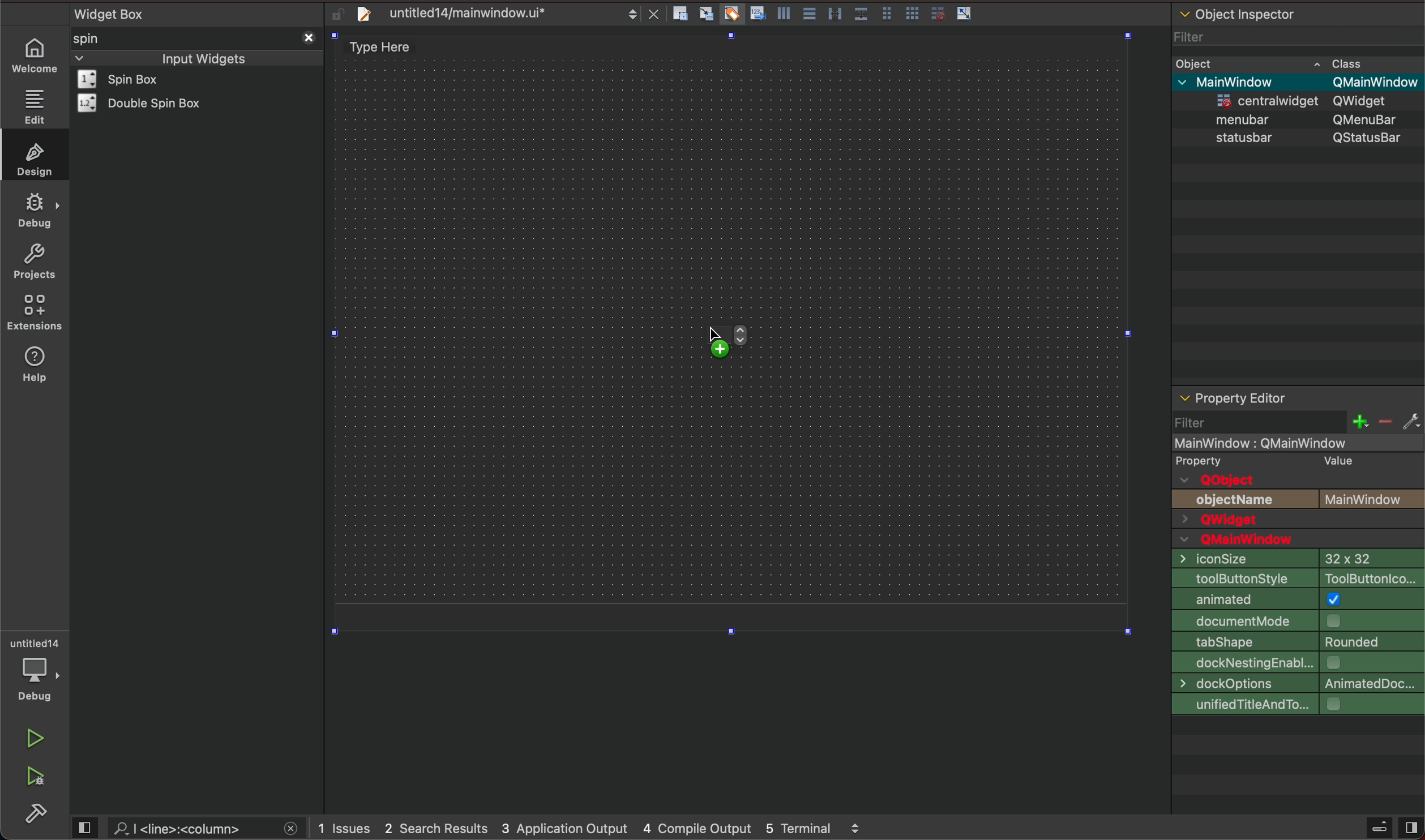 The width and height of the screenshot is (1425, 840). What do you see at coordinates (1295, 684) in the screenshot?
I see `dock option` at bounding box center [1295, 684].